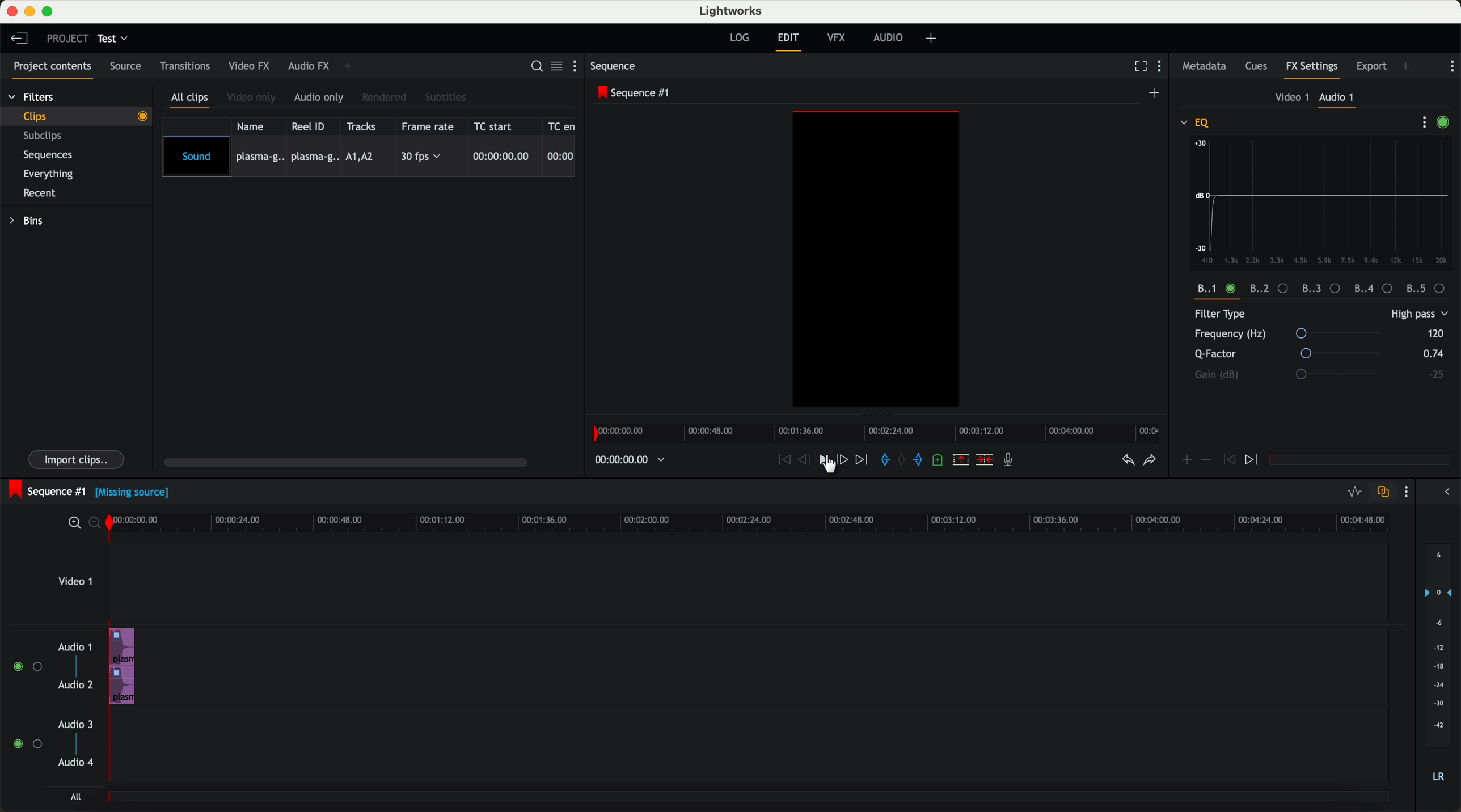 The height and width of the screenshot is (812, 1461). What do you see at coordinates (1439, 670) in the screenshot?
I see `audio output level` at bounding box center [1439, 670].